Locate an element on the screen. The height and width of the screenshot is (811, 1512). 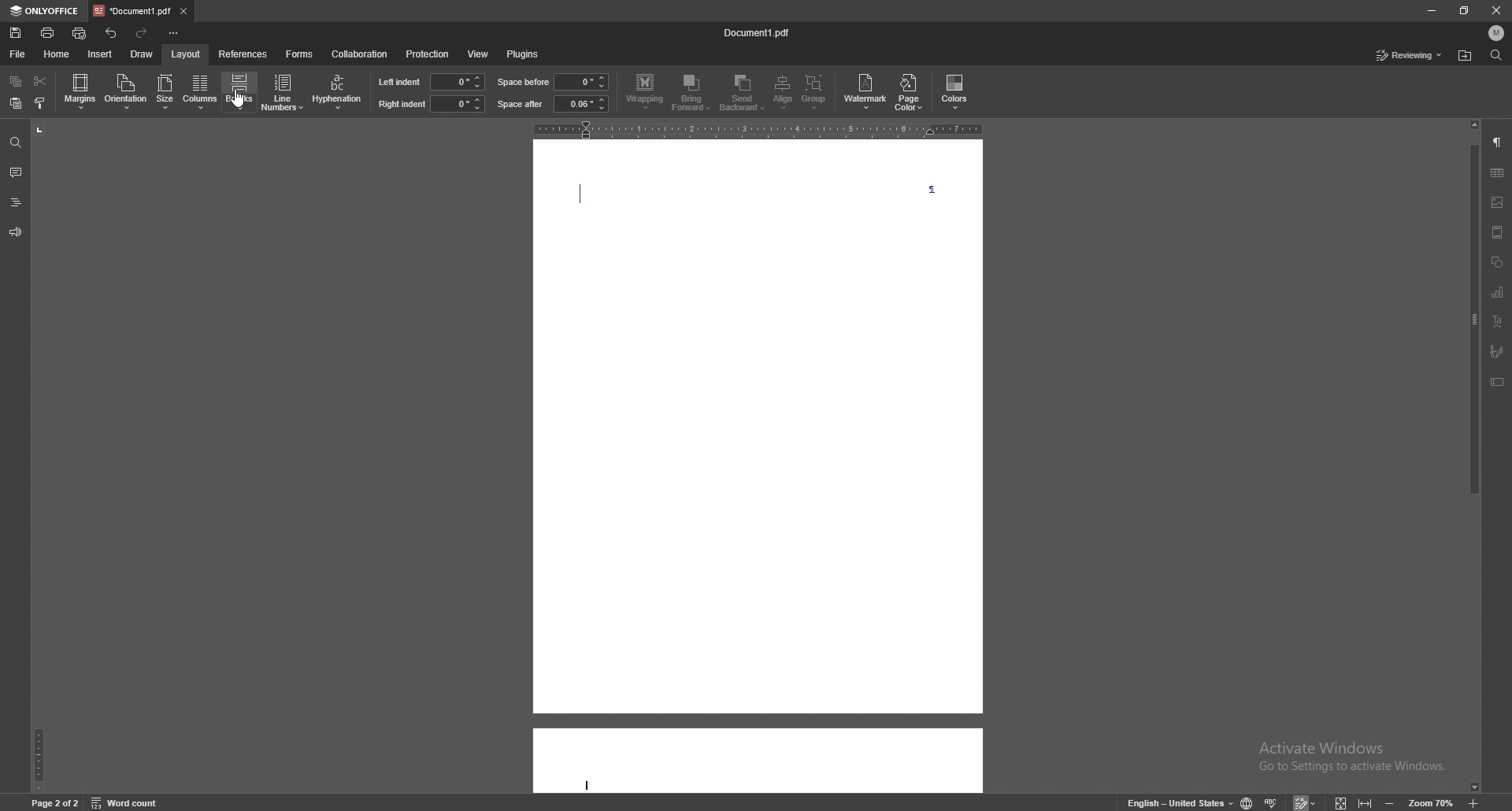
Align is located at coordinates (780, 94).